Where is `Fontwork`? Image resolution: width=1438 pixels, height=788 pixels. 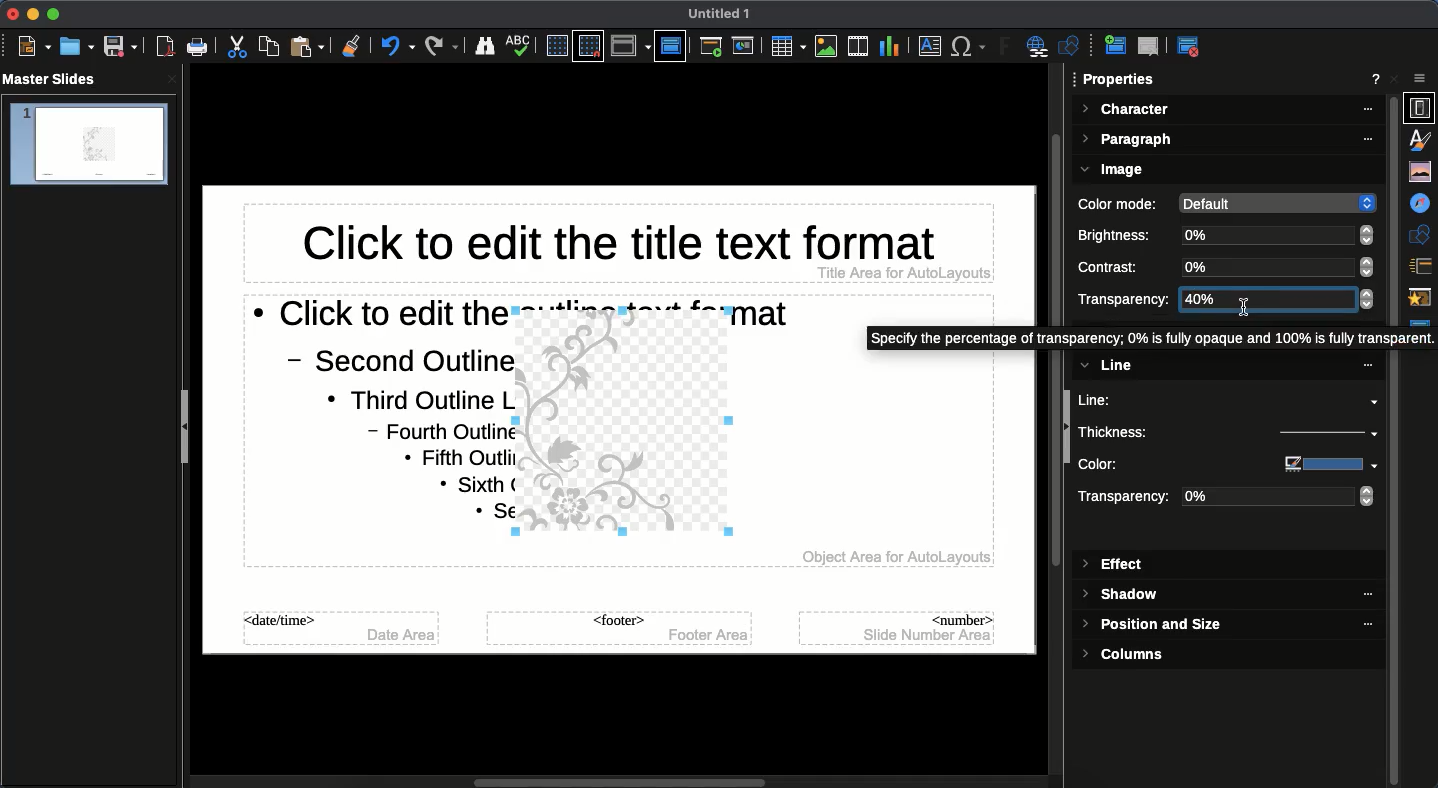 Fontwork is located at coordinates (1006, 49).